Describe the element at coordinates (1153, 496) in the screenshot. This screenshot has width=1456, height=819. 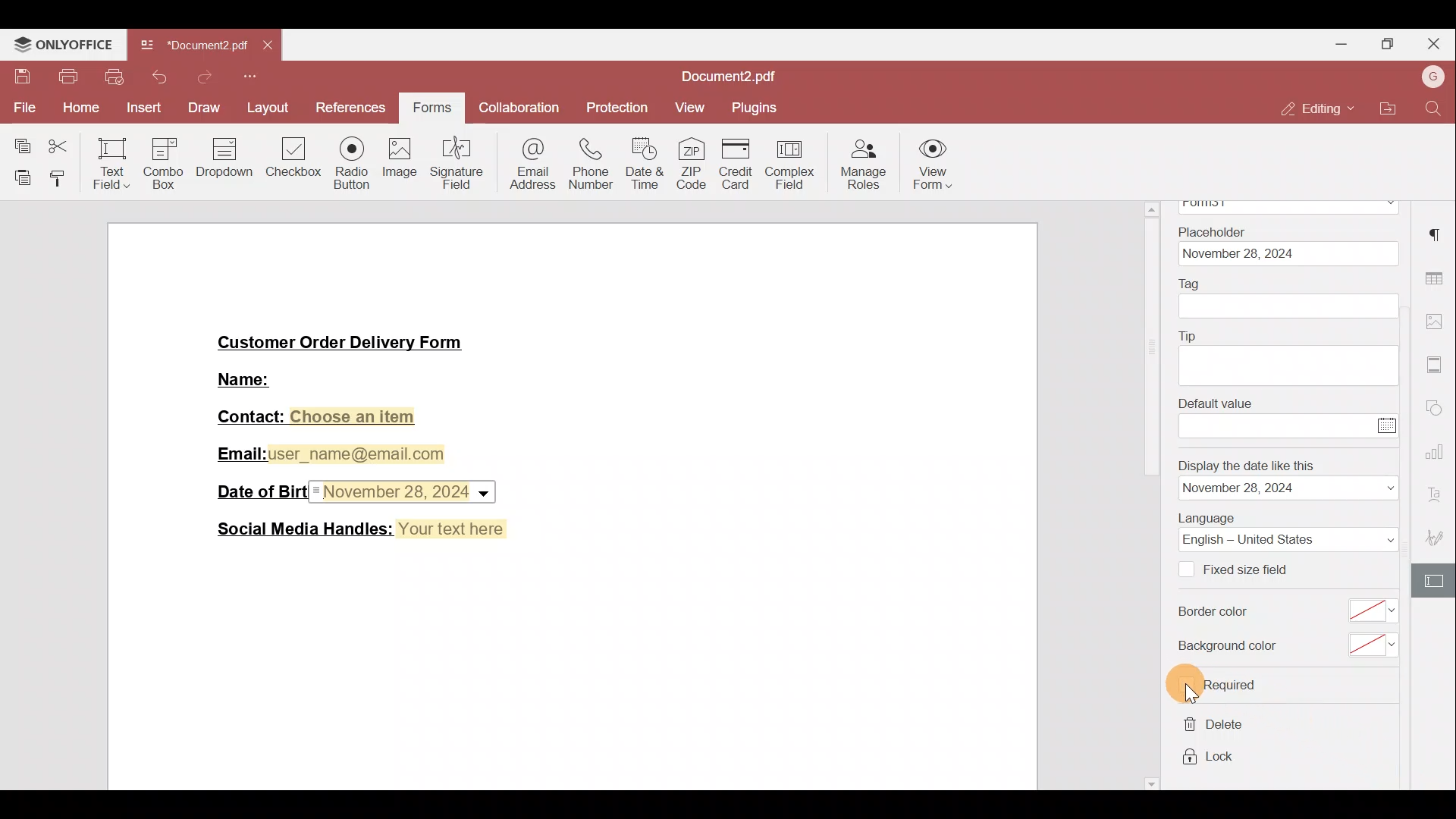
I see `scrollbar` at that location.